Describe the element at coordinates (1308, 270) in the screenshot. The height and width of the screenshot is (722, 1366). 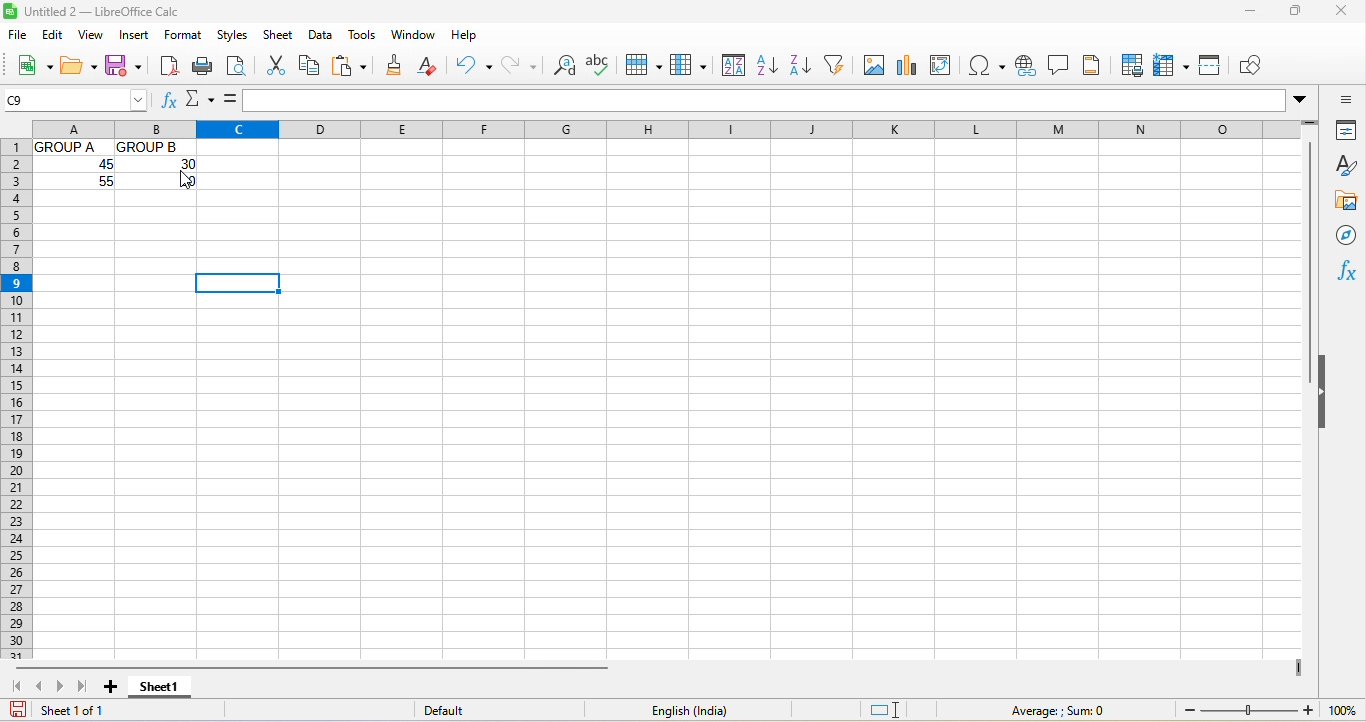
I see `vertical scroll bar` at that location.